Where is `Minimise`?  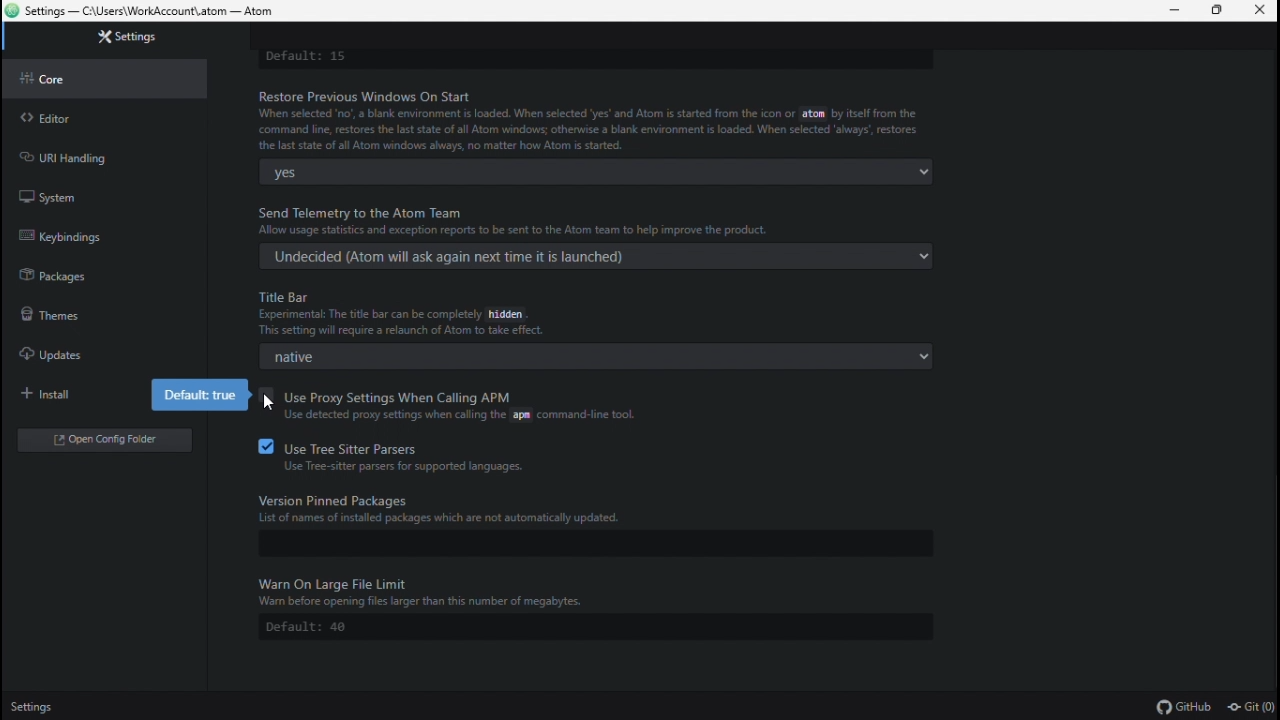 Minimise is located at coordinates (1170, 11).